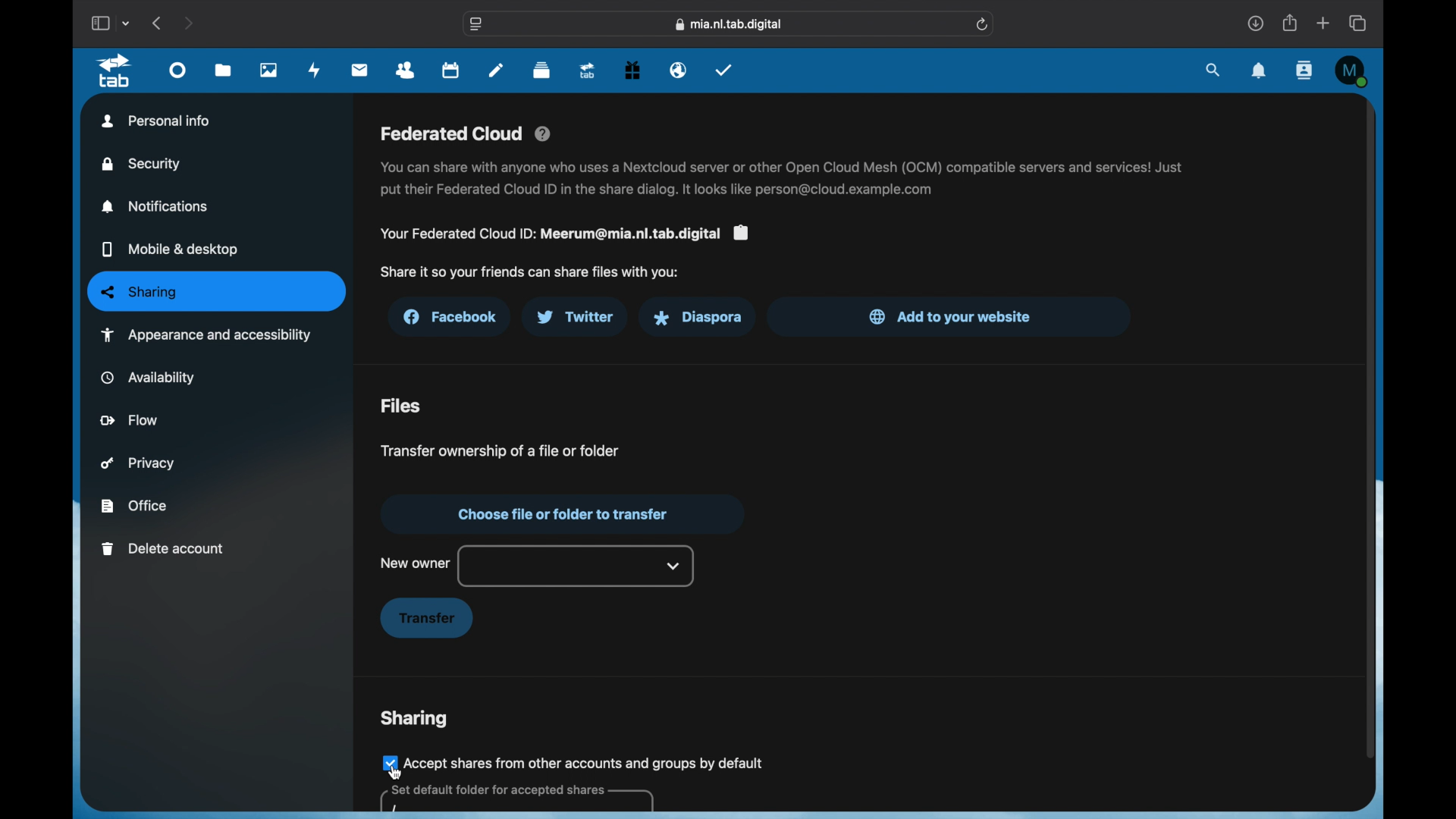  What do you see at coordinates (143, 164) in the screenshot?
I see `security` at bounding box center [143, 164].